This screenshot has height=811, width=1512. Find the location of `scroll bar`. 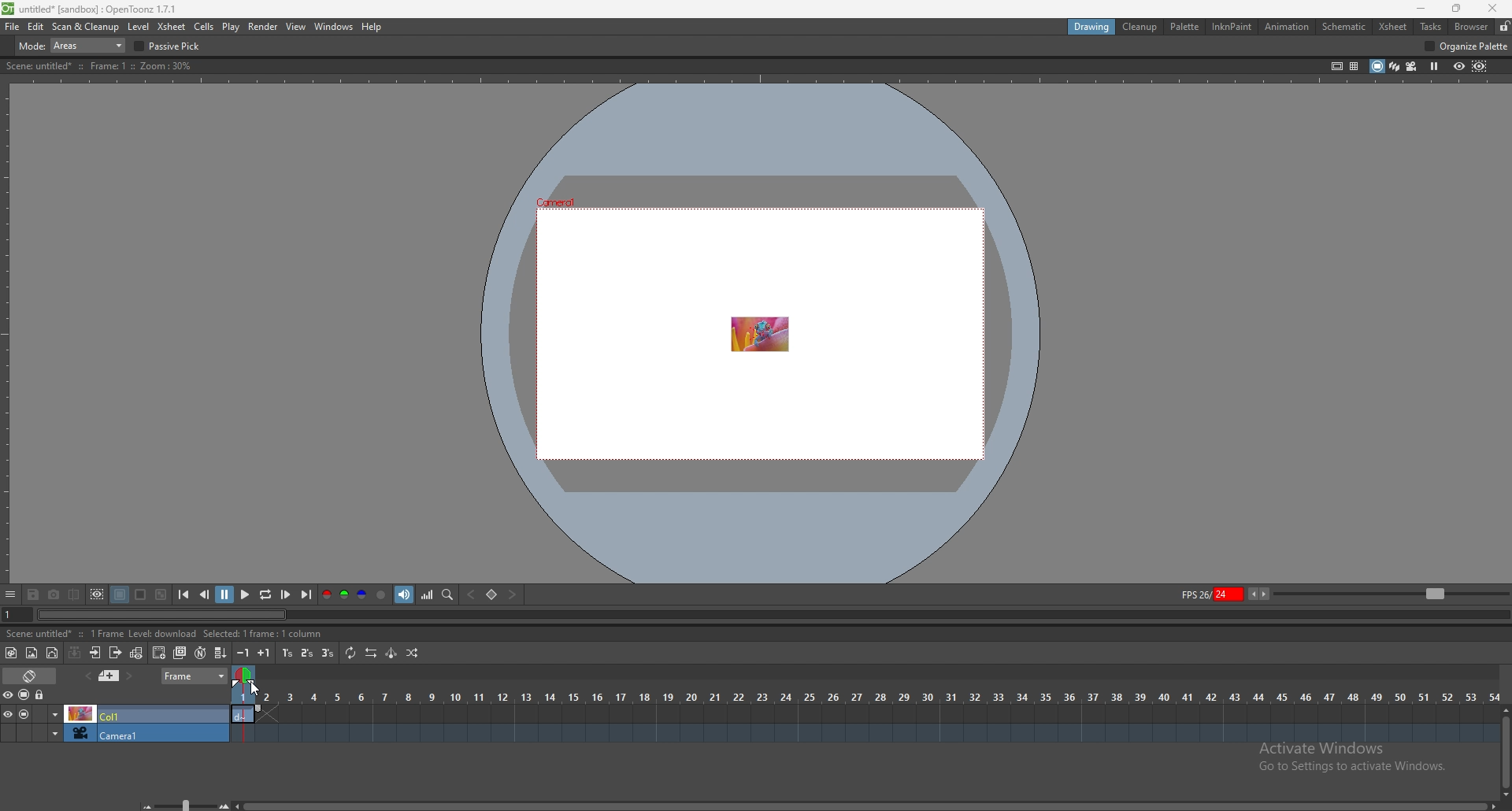

scroll bar is located at coordinates (1504, 751).